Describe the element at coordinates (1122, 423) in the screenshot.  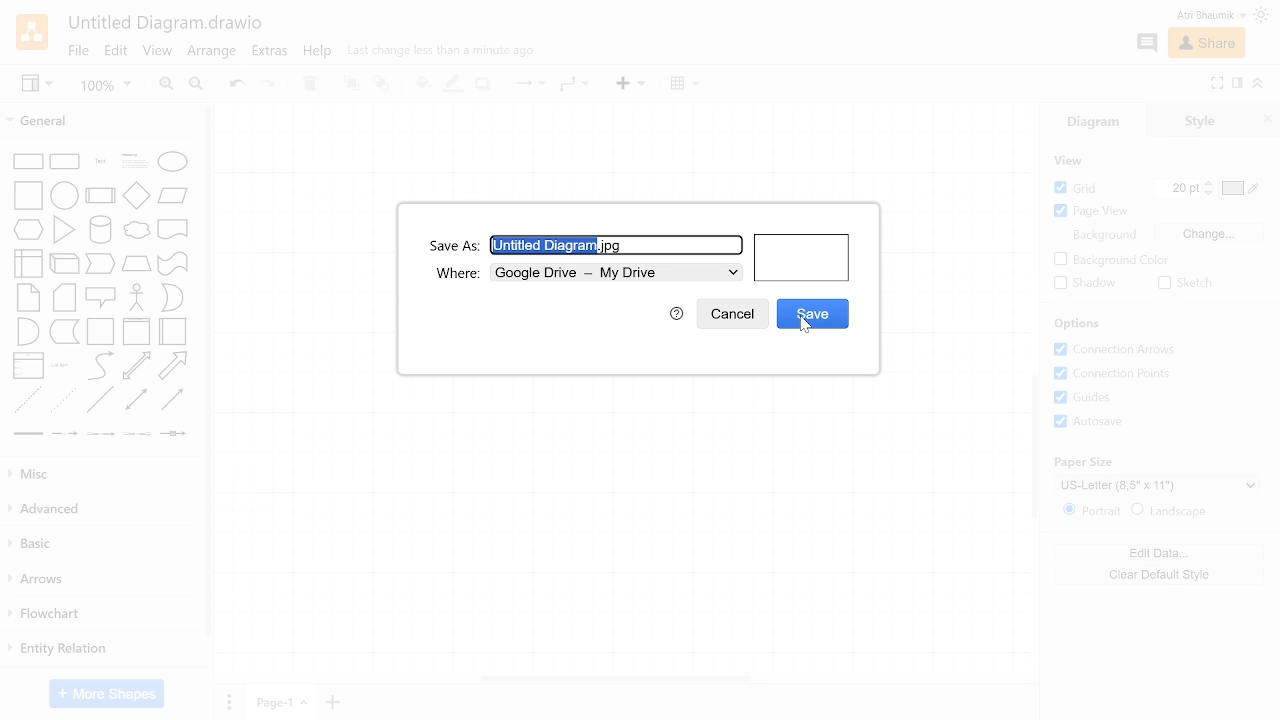
I see `Autosave` at that location.